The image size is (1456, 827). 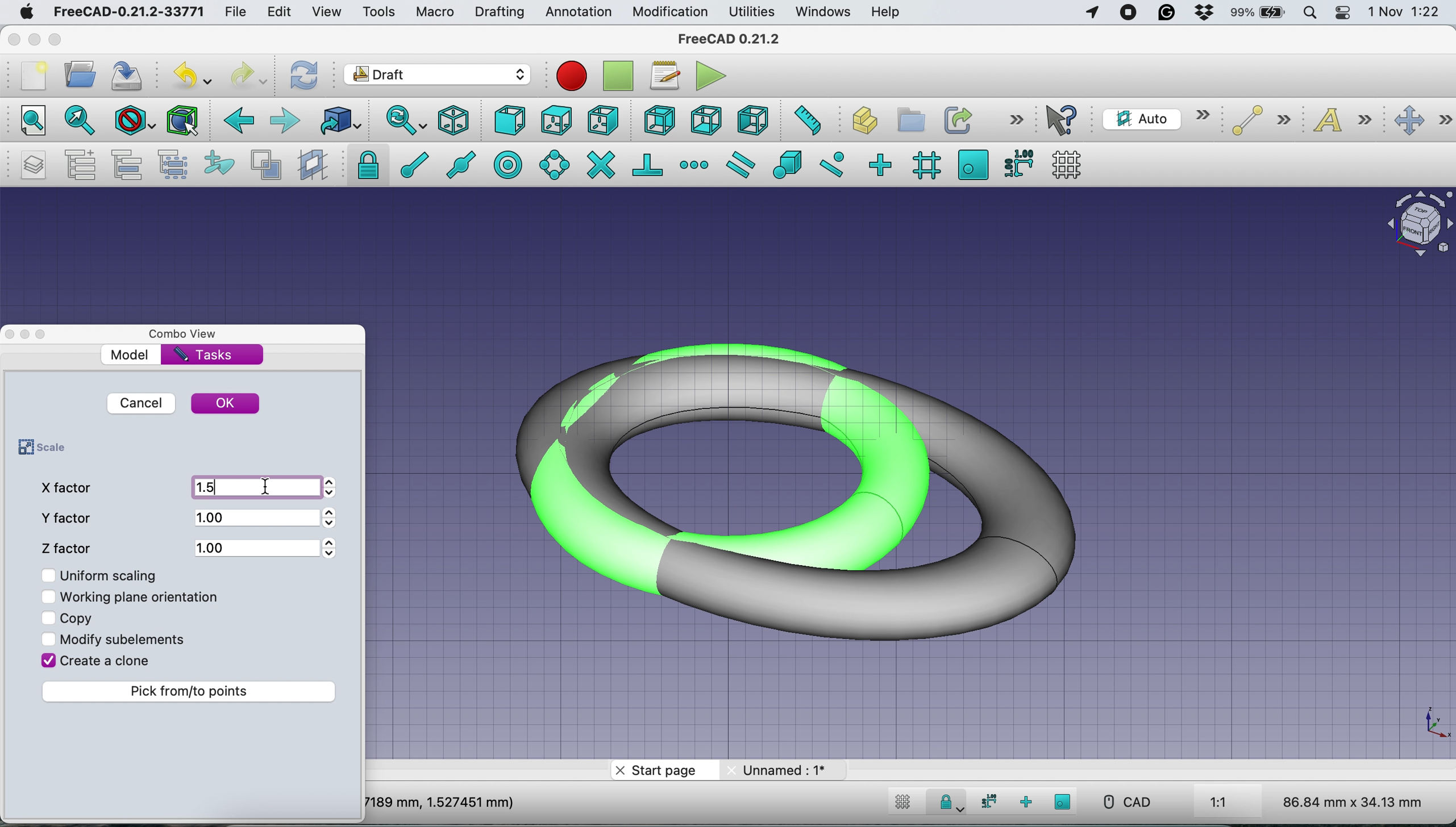 What do you see at coordinates (1403, 12) in the screenshot?
I see `1 Nov 1:22` at bounding box center [1403, 12].